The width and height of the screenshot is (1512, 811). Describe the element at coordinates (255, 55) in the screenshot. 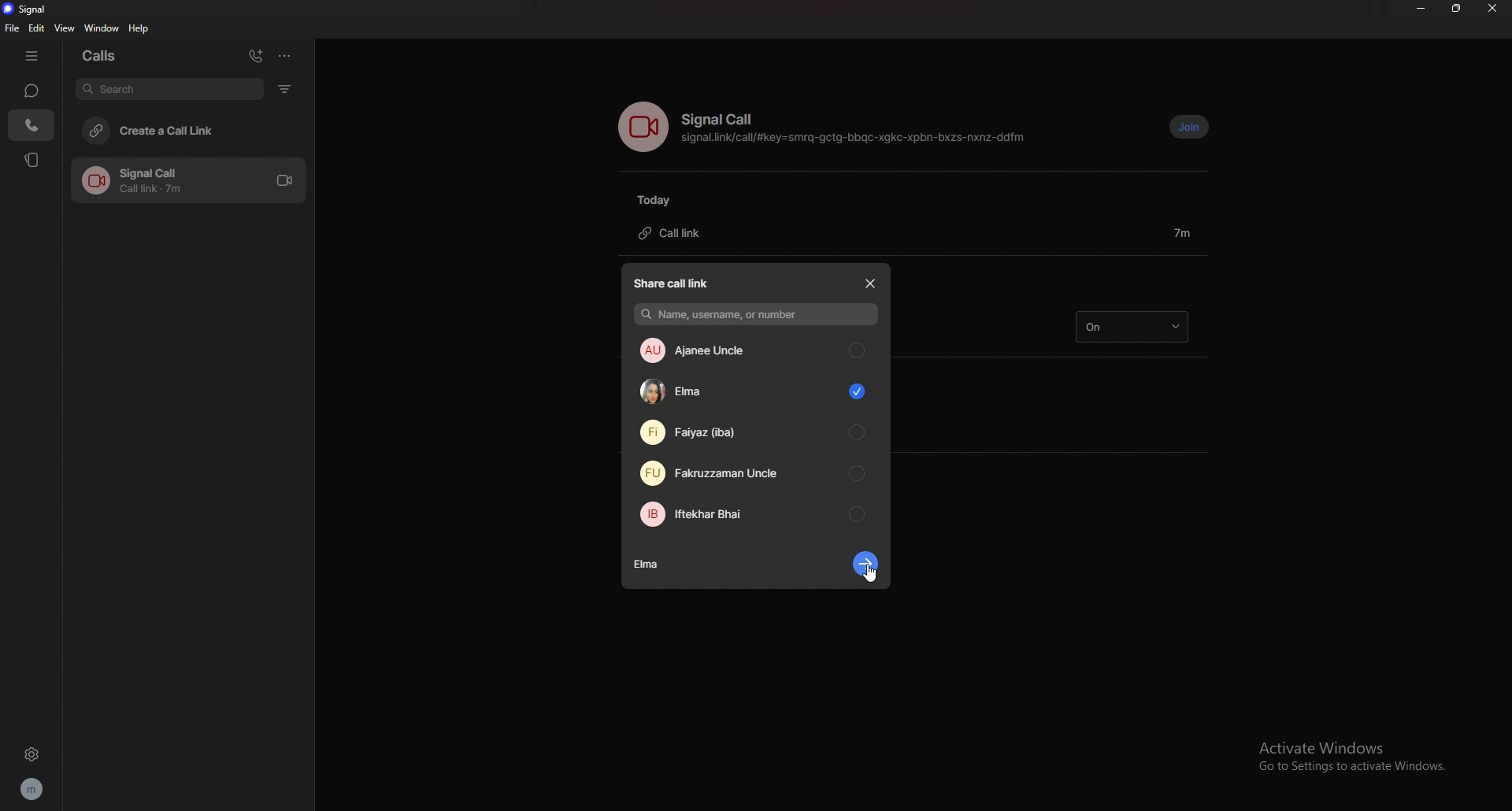

I see `add call` at that location.